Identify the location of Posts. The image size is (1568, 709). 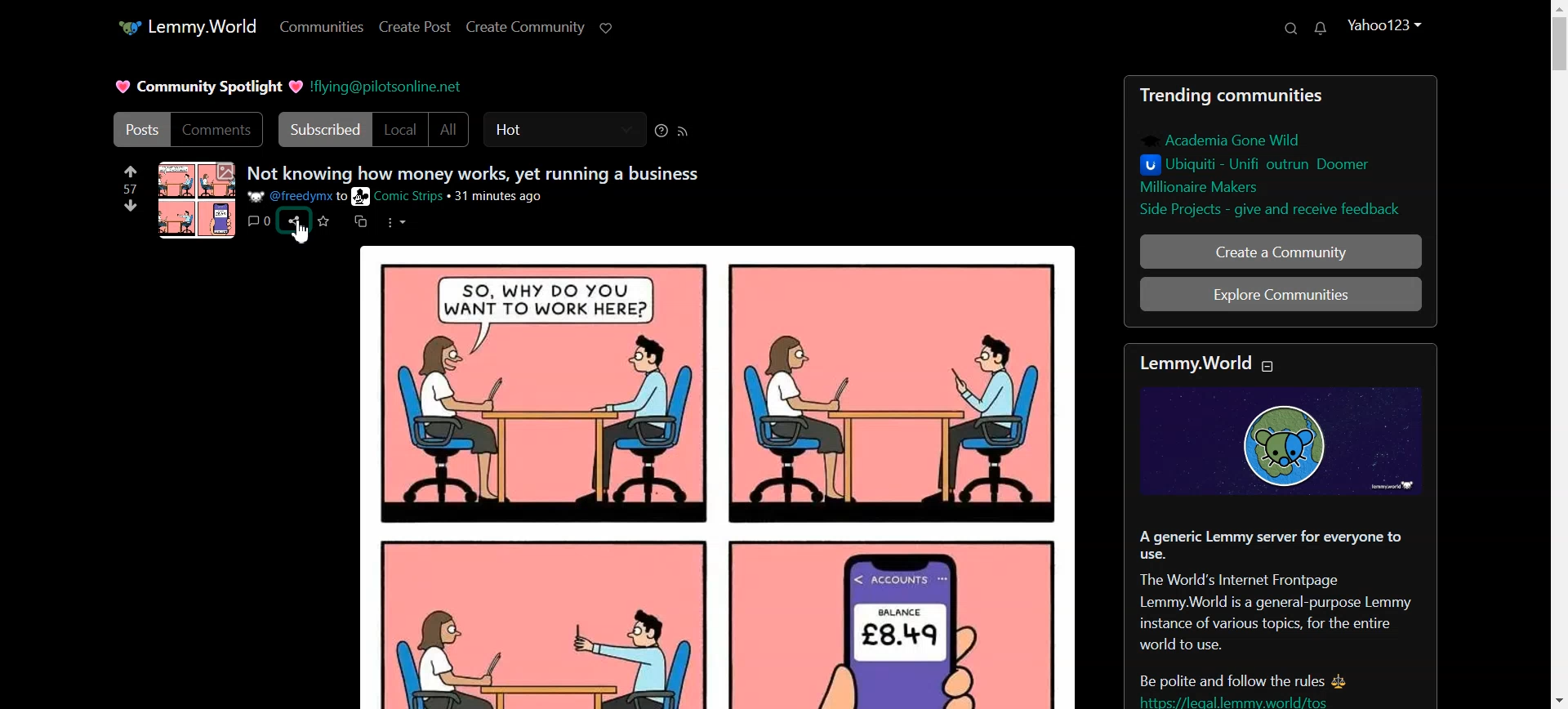
(138, 129).